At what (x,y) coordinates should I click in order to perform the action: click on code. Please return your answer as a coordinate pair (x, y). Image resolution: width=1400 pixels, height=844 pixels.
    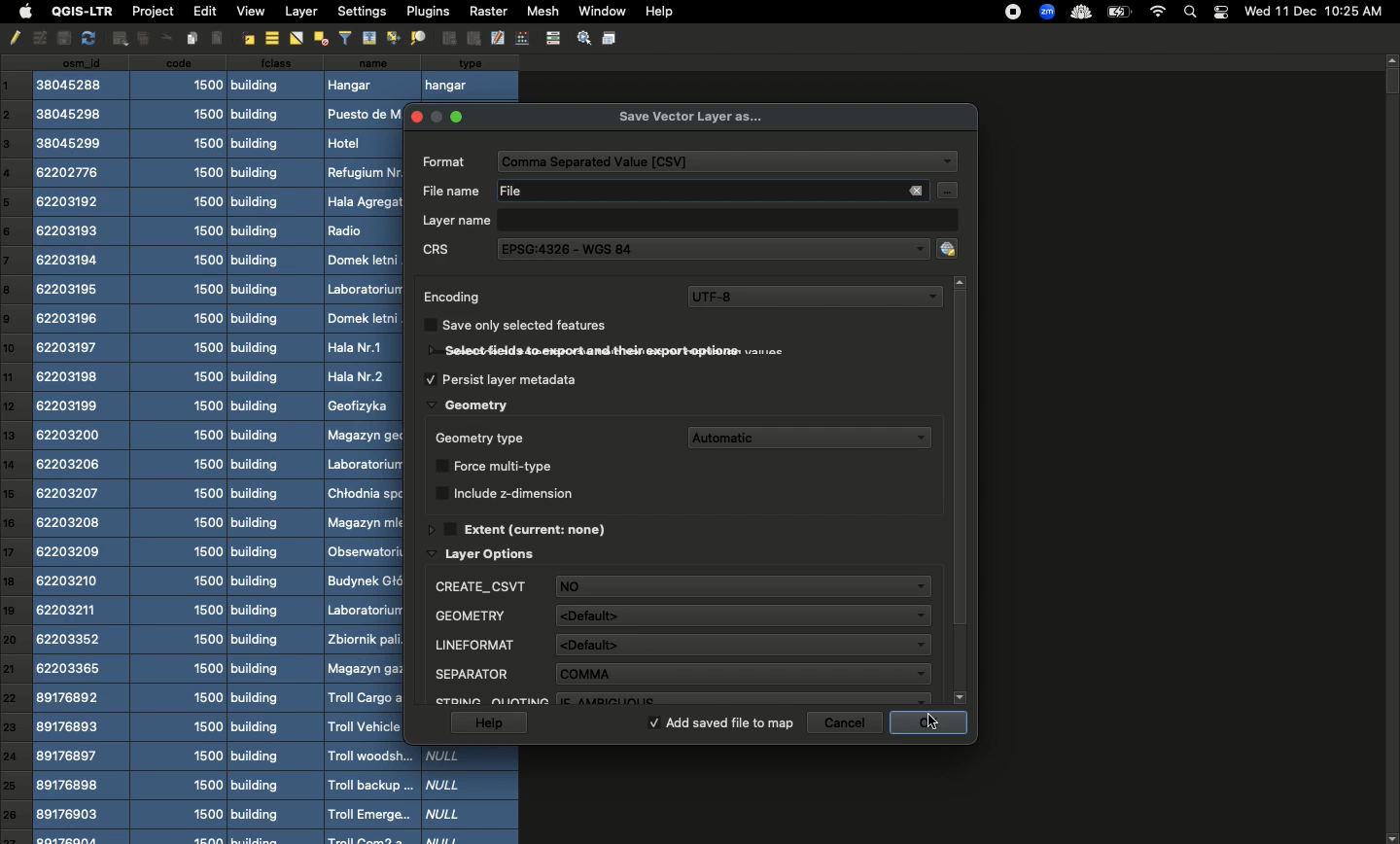
    Looking at the image, I should click on (181, 449).